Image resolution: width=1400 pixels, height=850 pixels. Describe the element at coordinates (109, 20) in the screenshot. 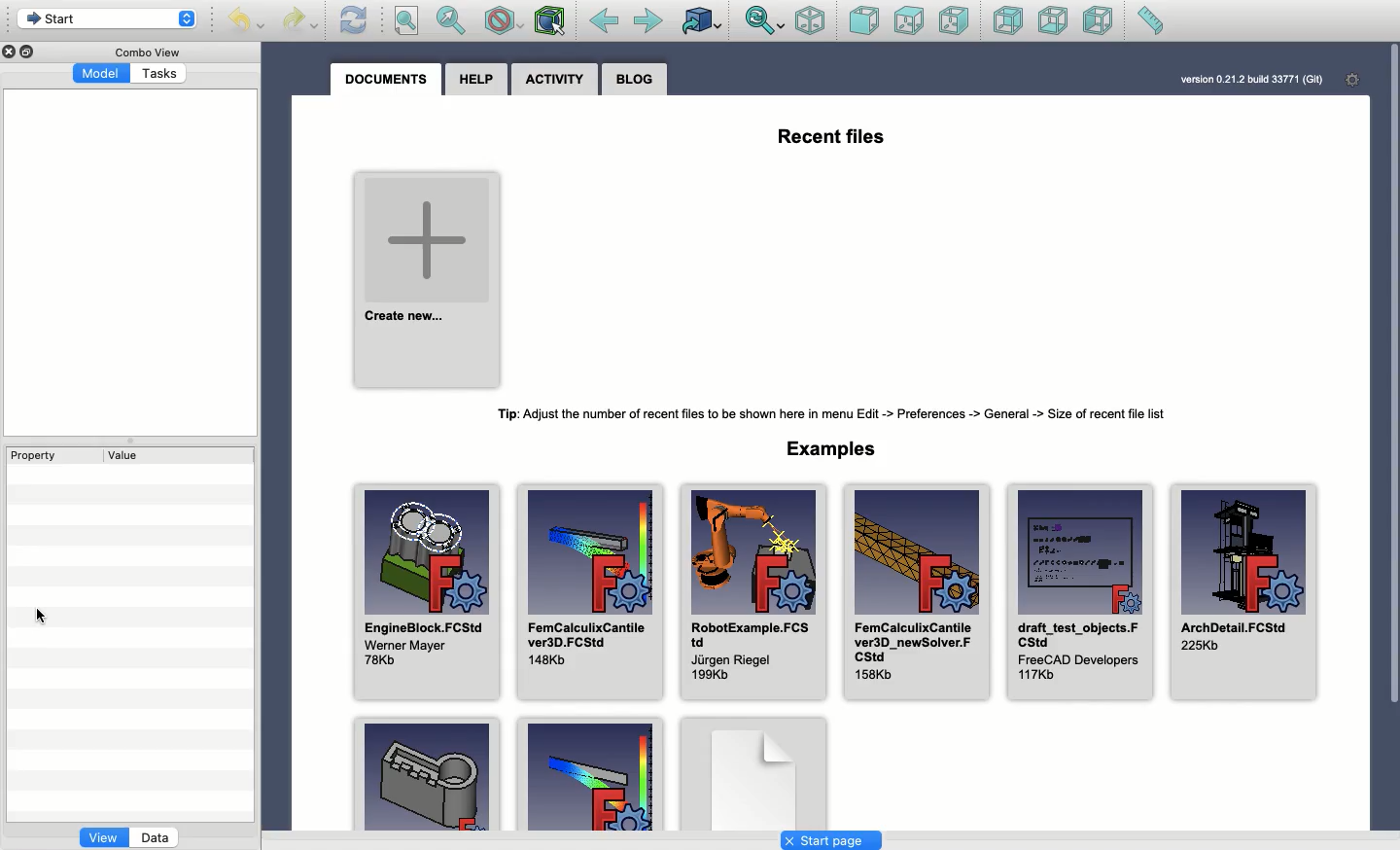

I see `Start` at that location.